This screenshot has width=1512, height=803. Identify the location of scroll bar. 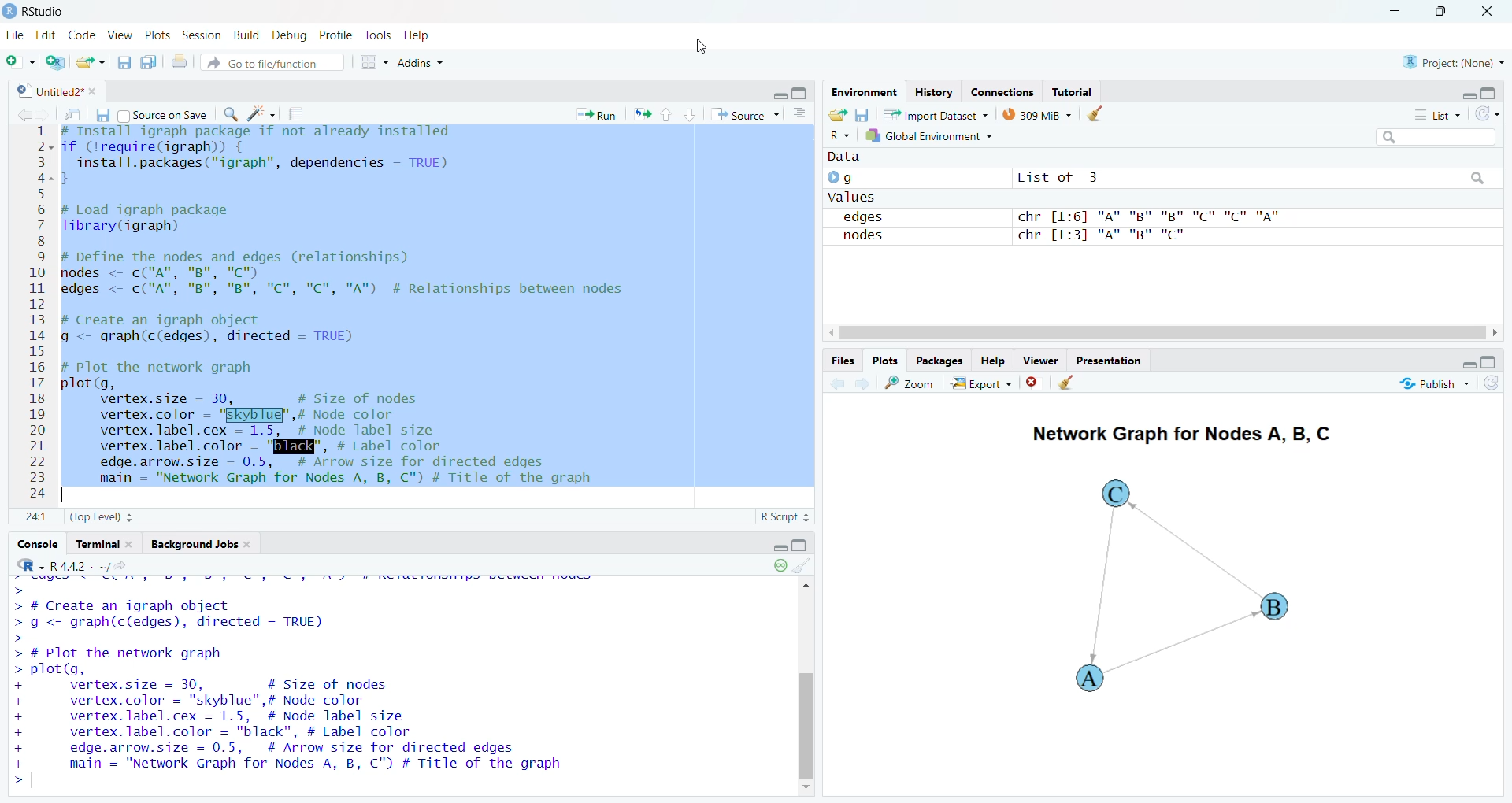
(802, 686).